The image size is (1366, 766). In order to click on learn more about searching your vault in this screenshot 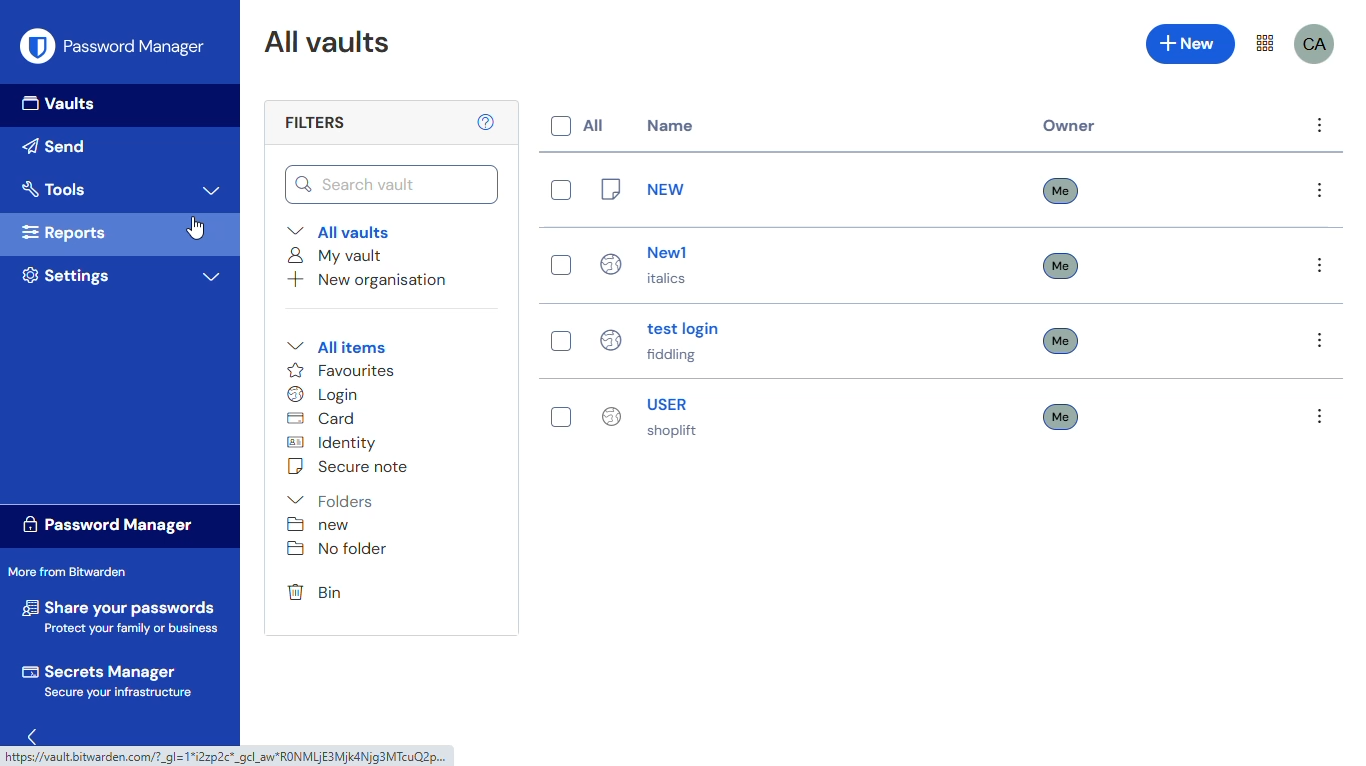, I will do `click(487, 122)`.